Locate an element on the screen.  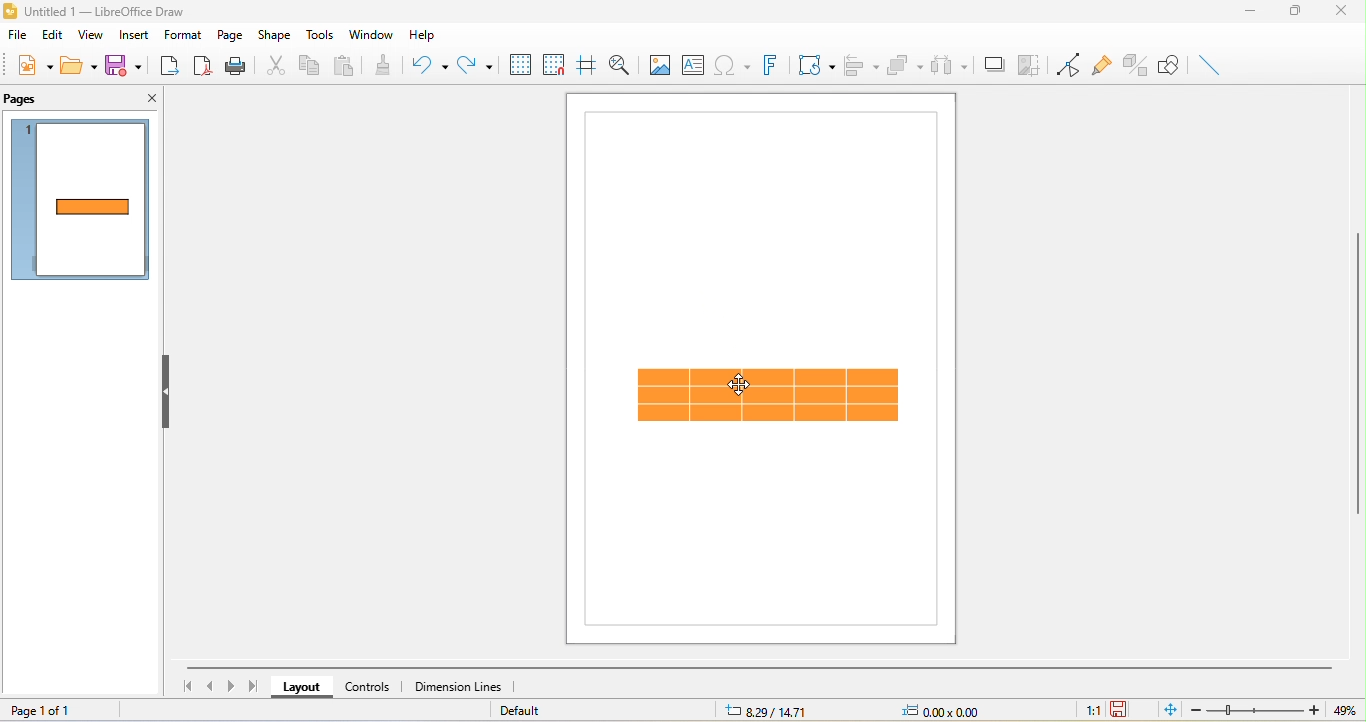
page is located at coordinates (231, 37).